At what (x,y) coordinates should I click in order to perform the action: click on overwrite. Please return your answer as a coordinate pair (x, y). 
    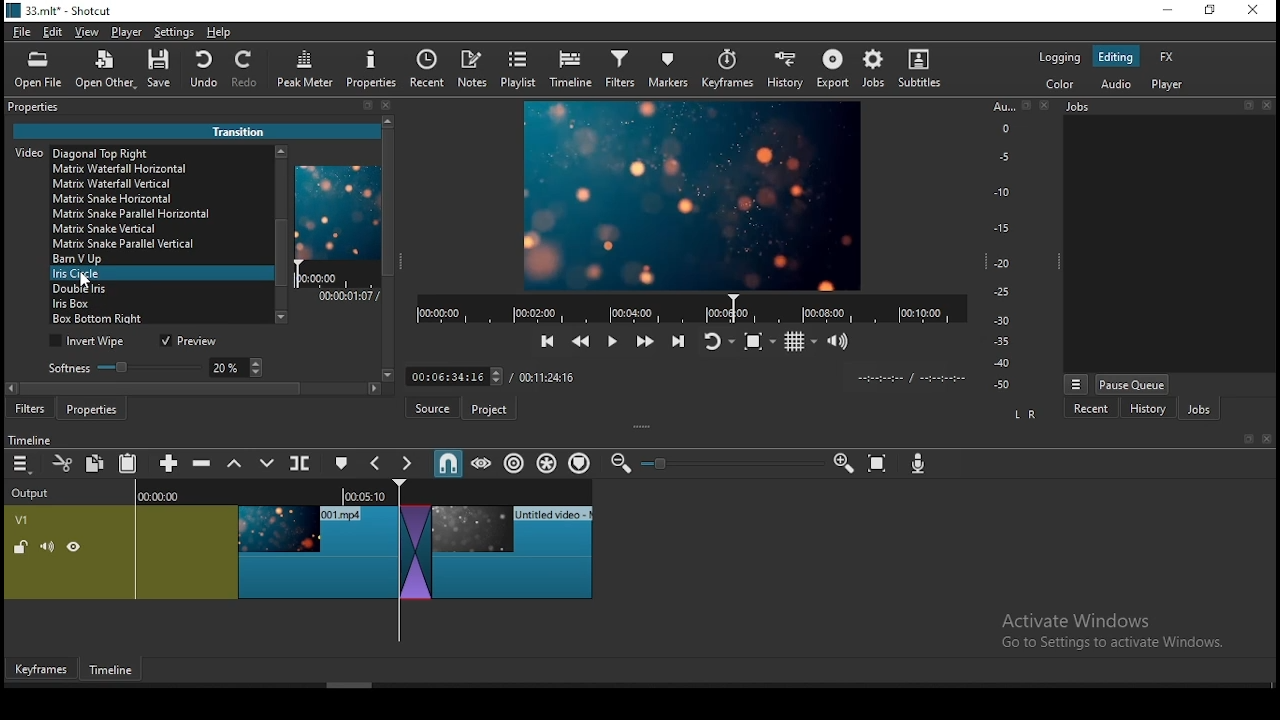
    Looking at the image, I should click on (267, 464).